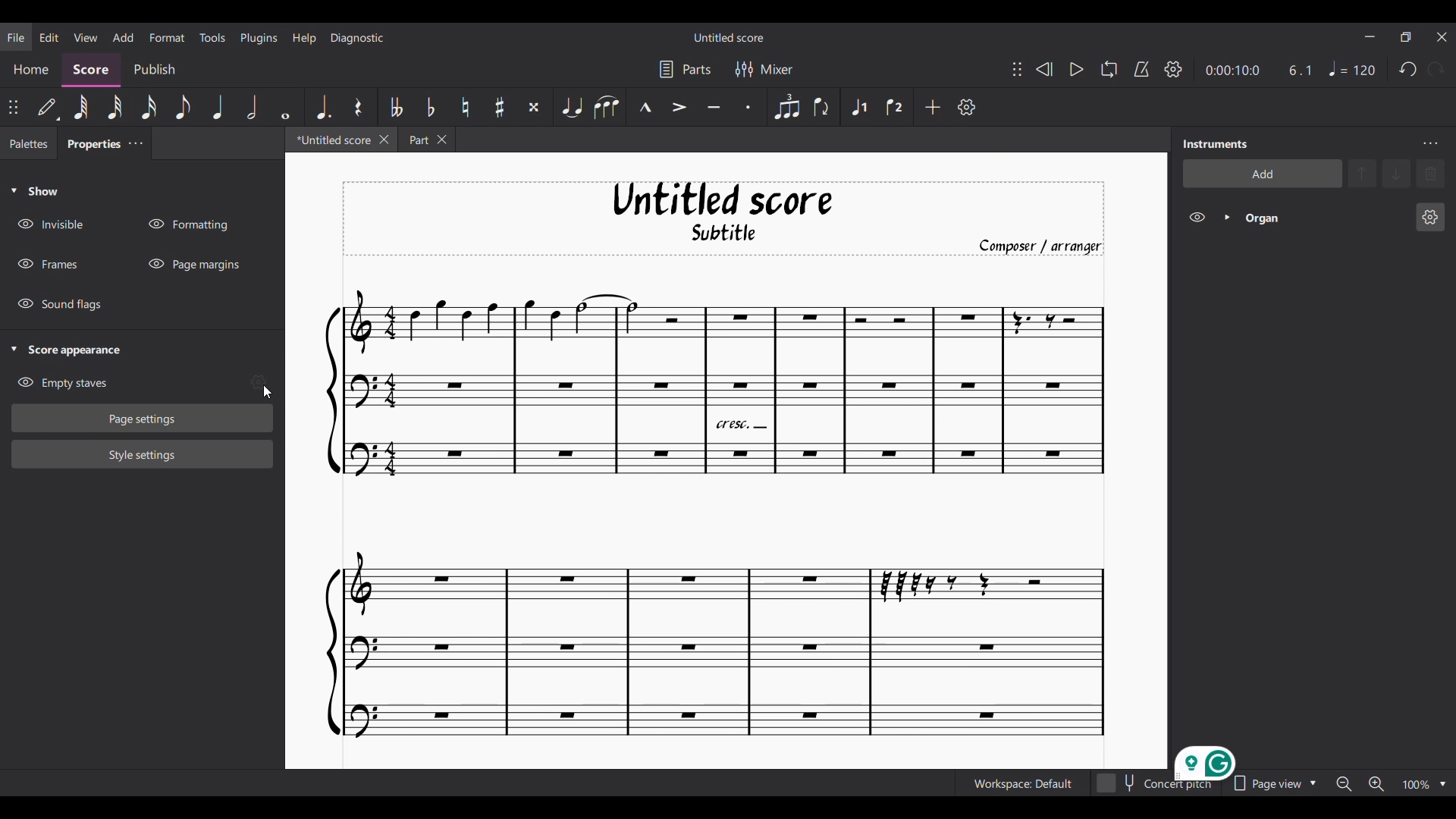 Image resolution: width=1456 pixels, height=819 pixels. Describe the element at coordinates (785, 107) in the screenshot. I see `Tuplet` at that location.